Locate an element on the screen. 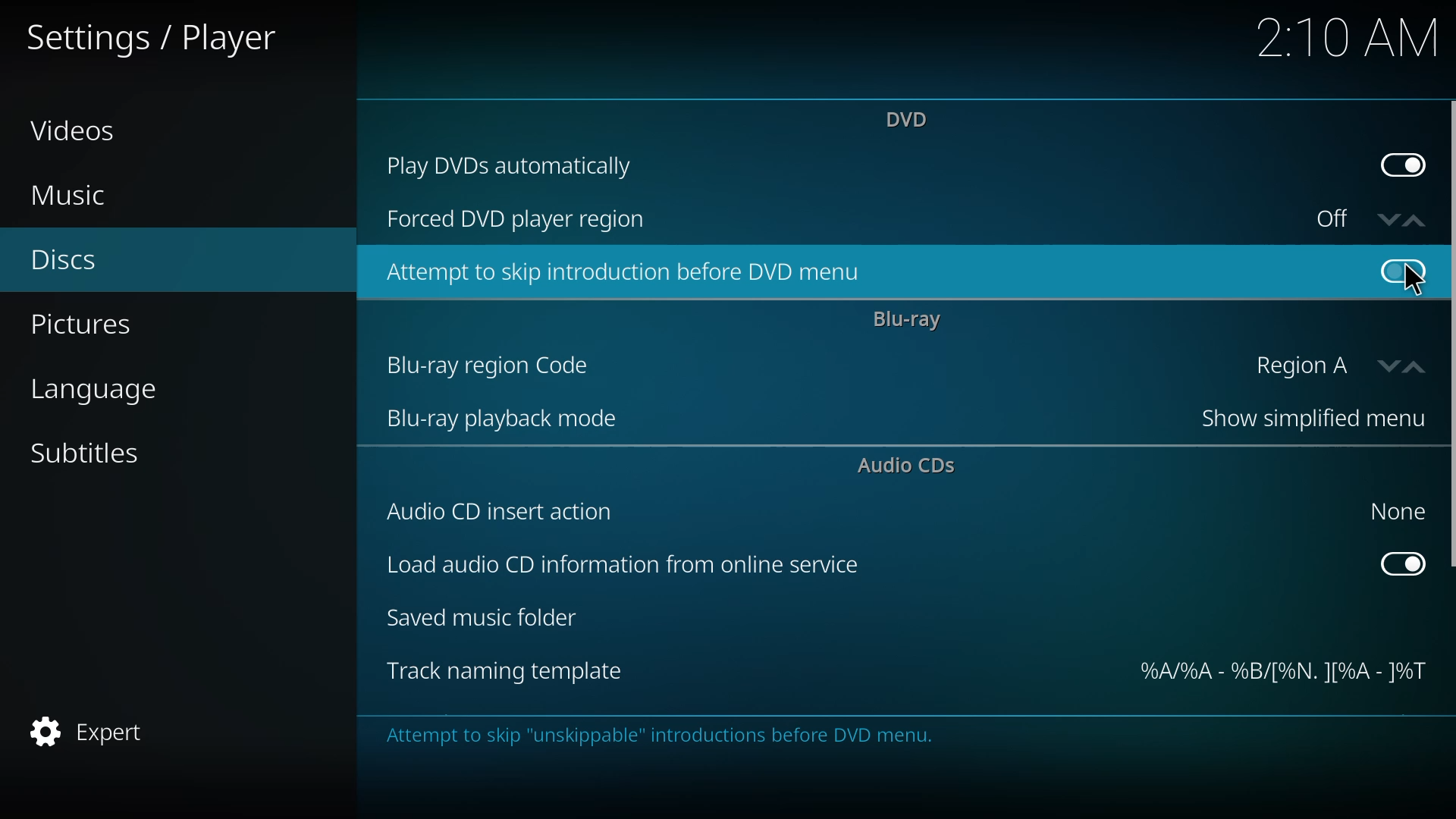  load audio cd info from online service is located at coordinates (635, 567).